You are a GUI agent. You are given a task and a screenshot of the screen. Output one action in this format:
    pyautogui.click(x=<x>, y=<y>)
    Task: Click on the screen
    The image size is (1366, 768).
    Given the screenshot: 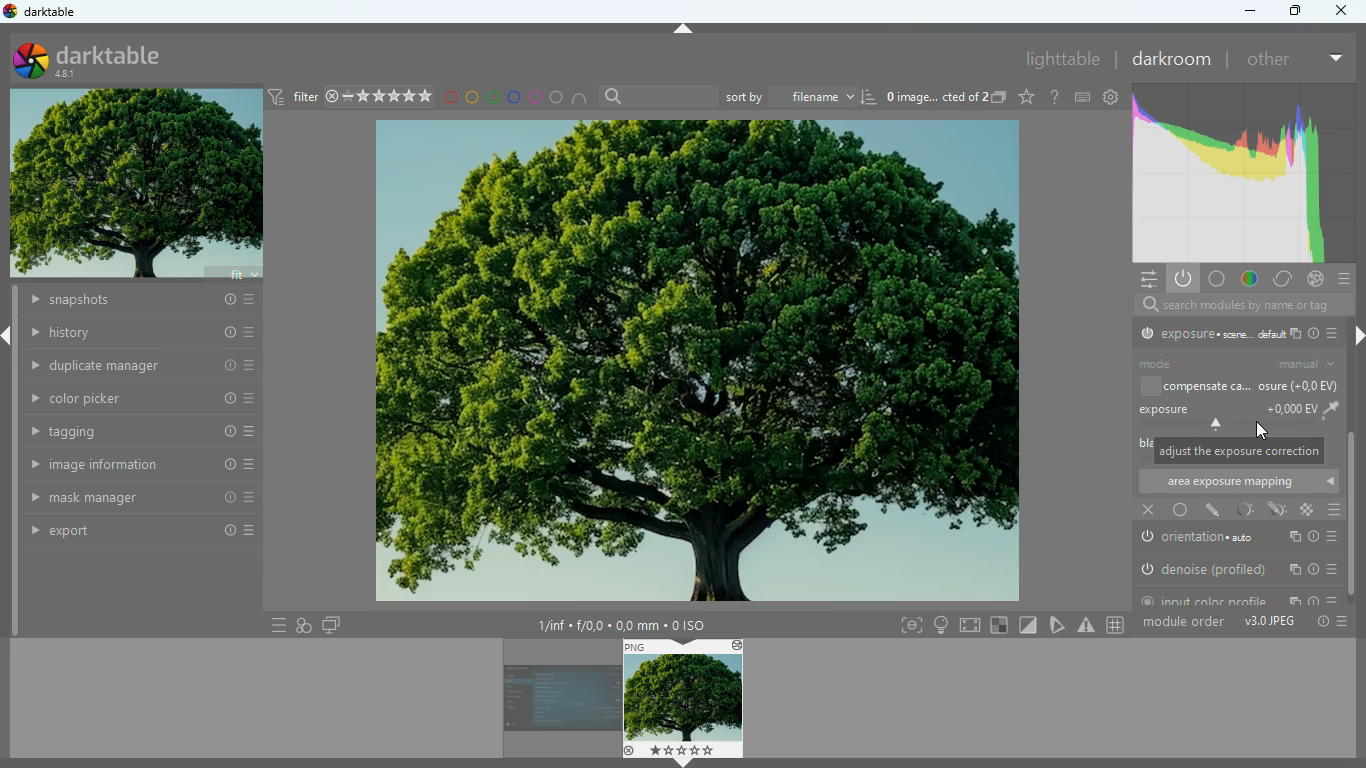 What is the action you would take?
    pyautogui.click(x=971, y=625)
    